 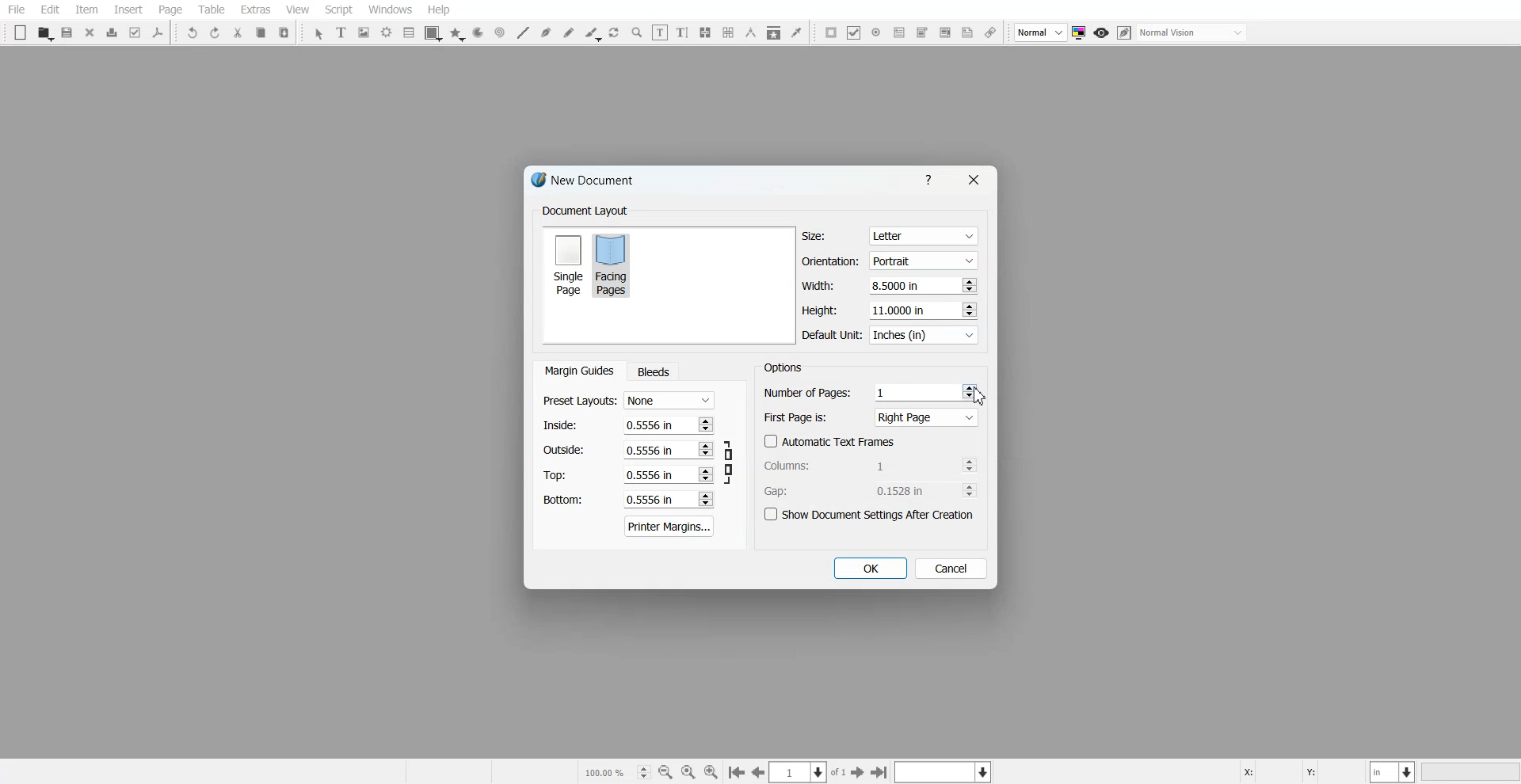 I want to click on PDF Combo Box, so click(x=921, y=32).